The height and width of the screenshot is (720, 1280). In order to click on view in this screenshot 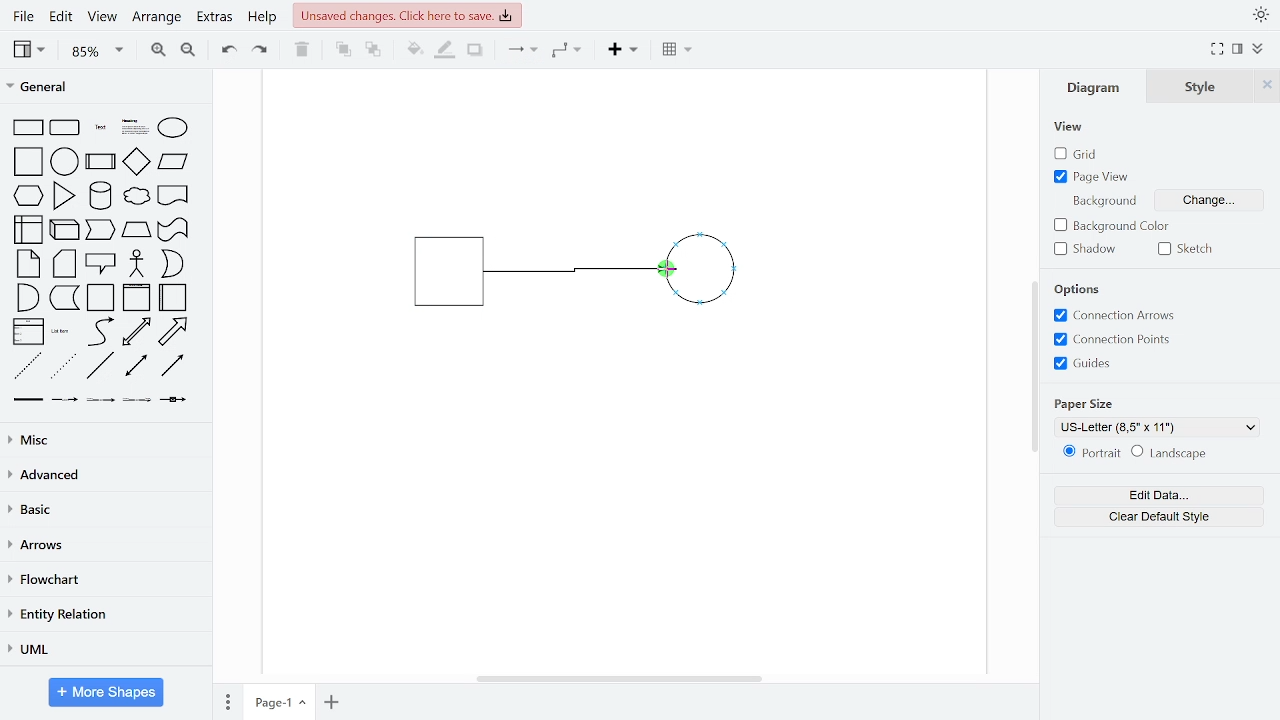, I will do `click(1070, 128)`.